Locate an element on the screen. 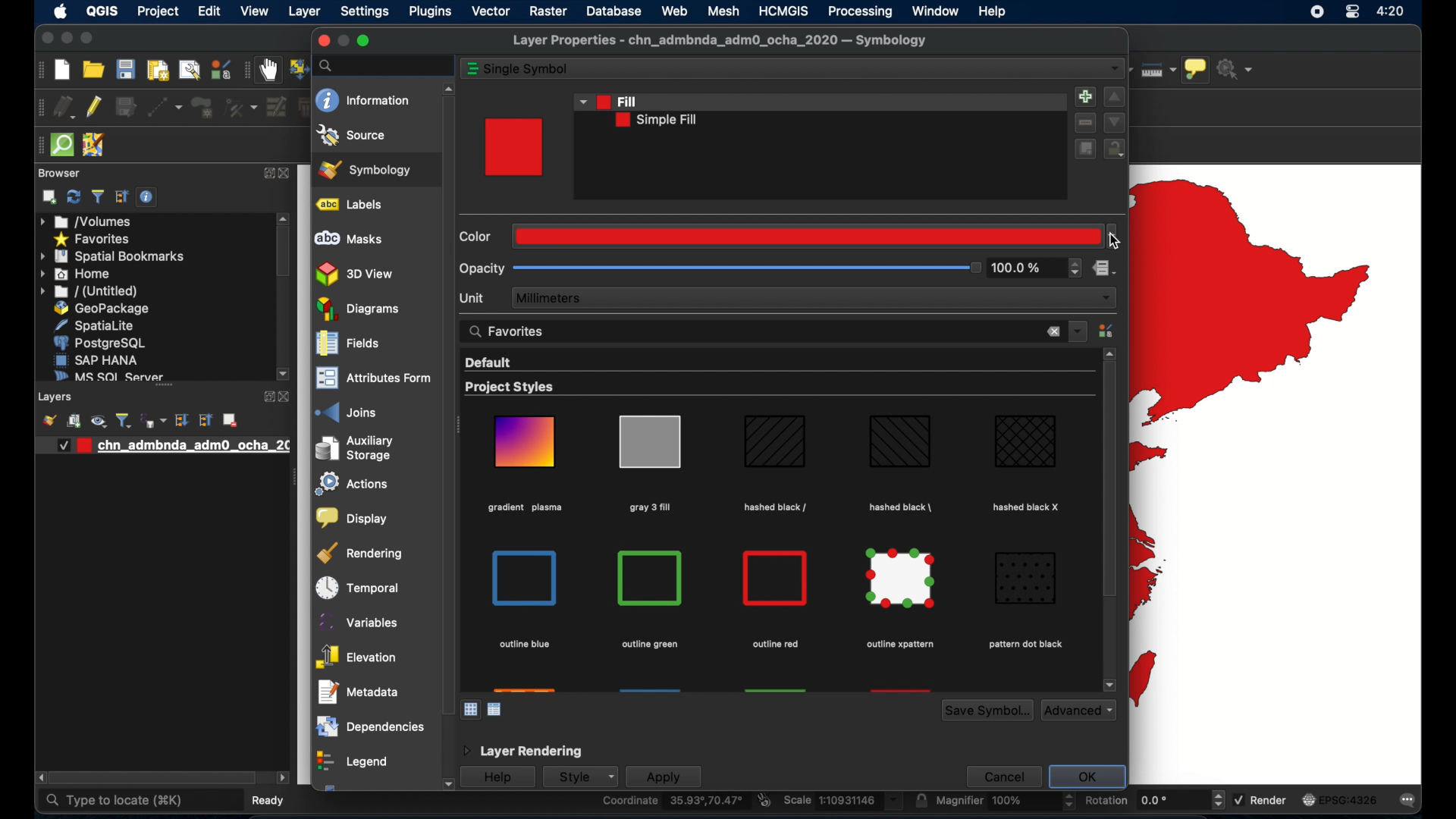  ok is located at coordinates (1090, 777).